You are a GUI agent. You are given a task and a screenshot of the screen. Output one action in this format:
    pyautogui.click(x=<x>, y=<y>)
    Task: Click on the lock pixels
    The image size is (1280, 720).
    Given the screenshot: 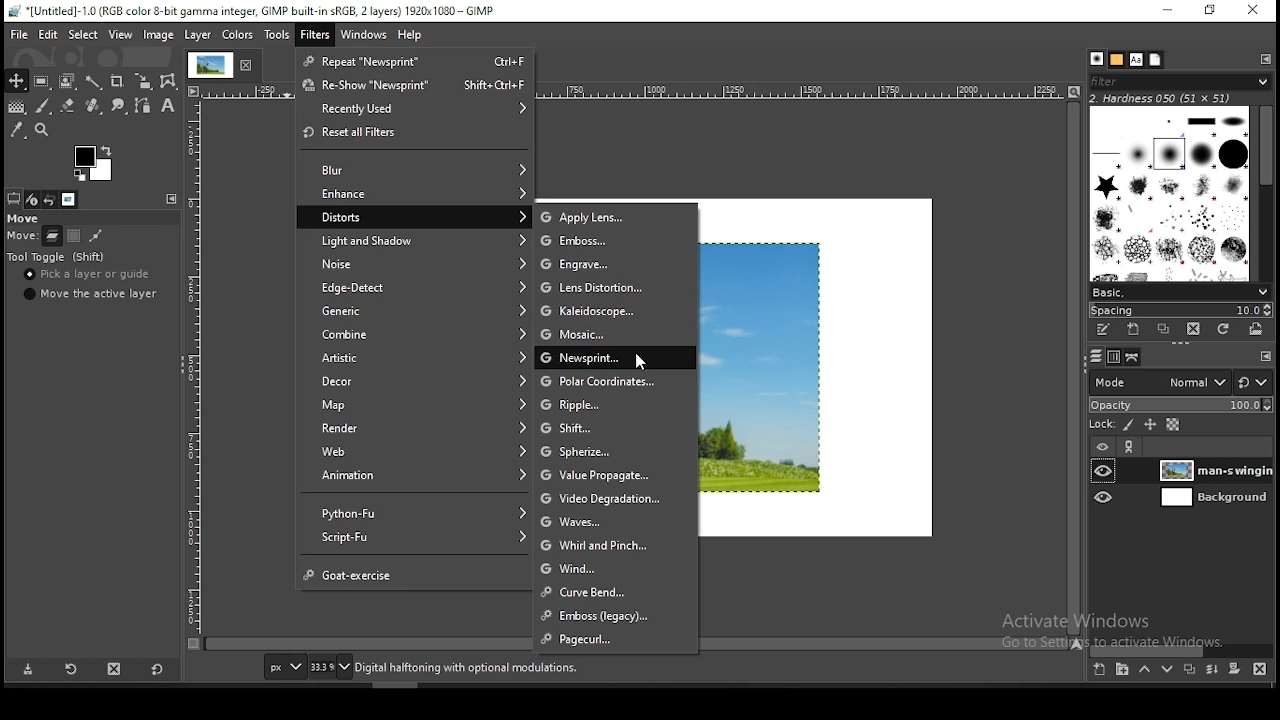 What is the action you would take?
    pyautogui.click(x=1126, y=425)
    